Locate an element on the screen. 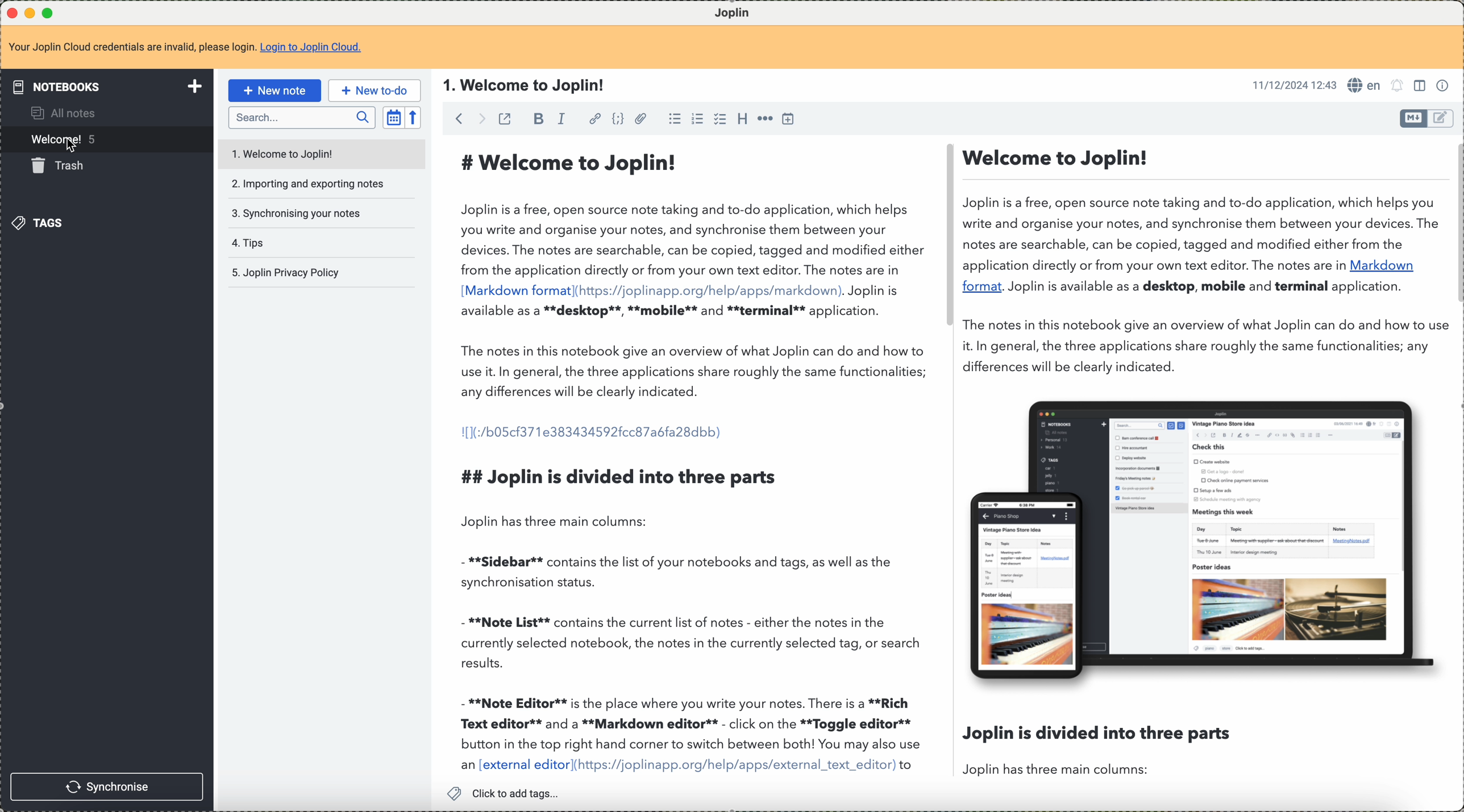 This screenshot has width=1464, height=812. importing and exporting notes is located at coordinates (309, 184).